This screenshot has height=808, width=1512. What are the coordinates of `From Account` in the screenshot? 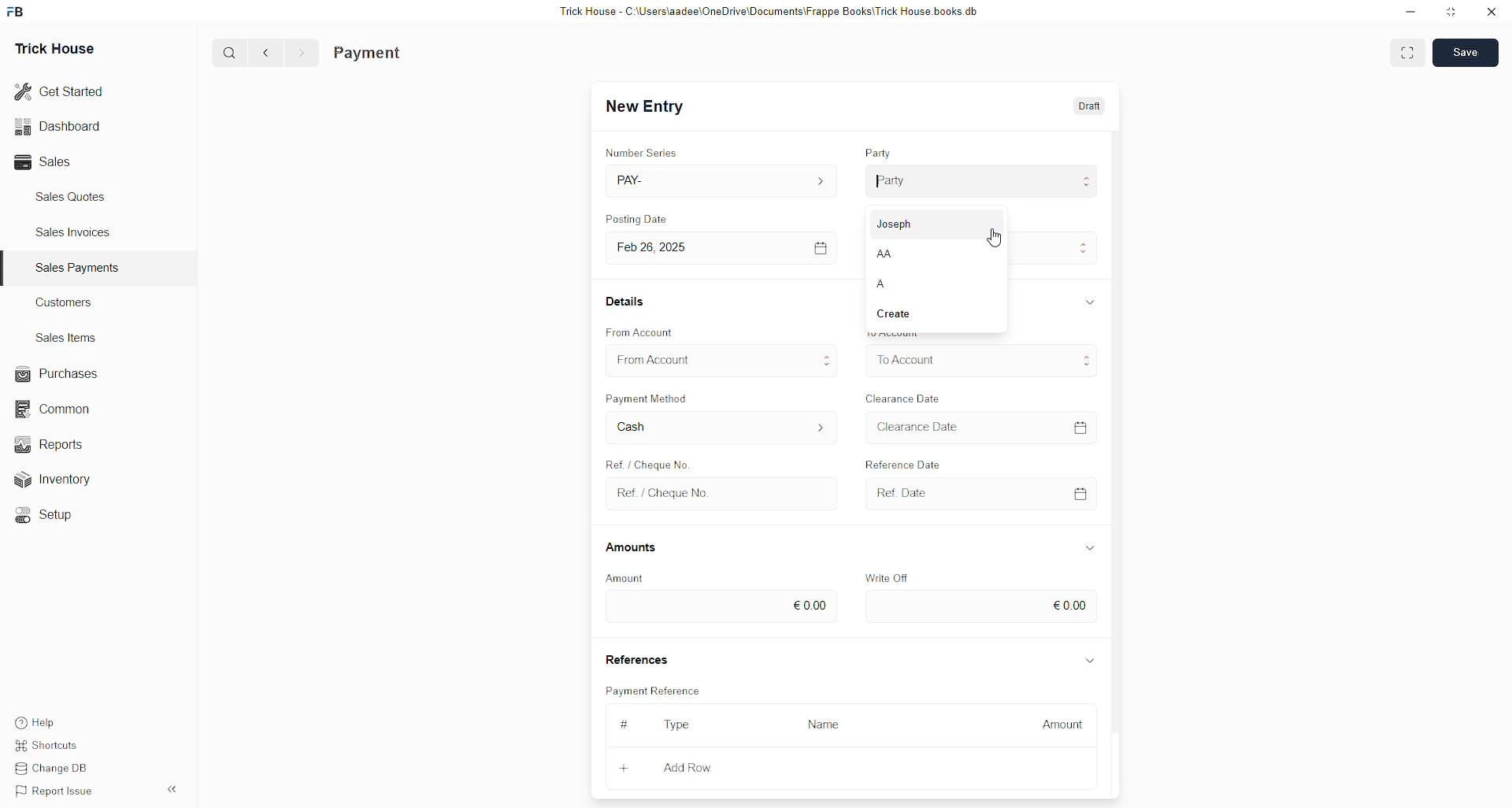 It's located at (640, 332).